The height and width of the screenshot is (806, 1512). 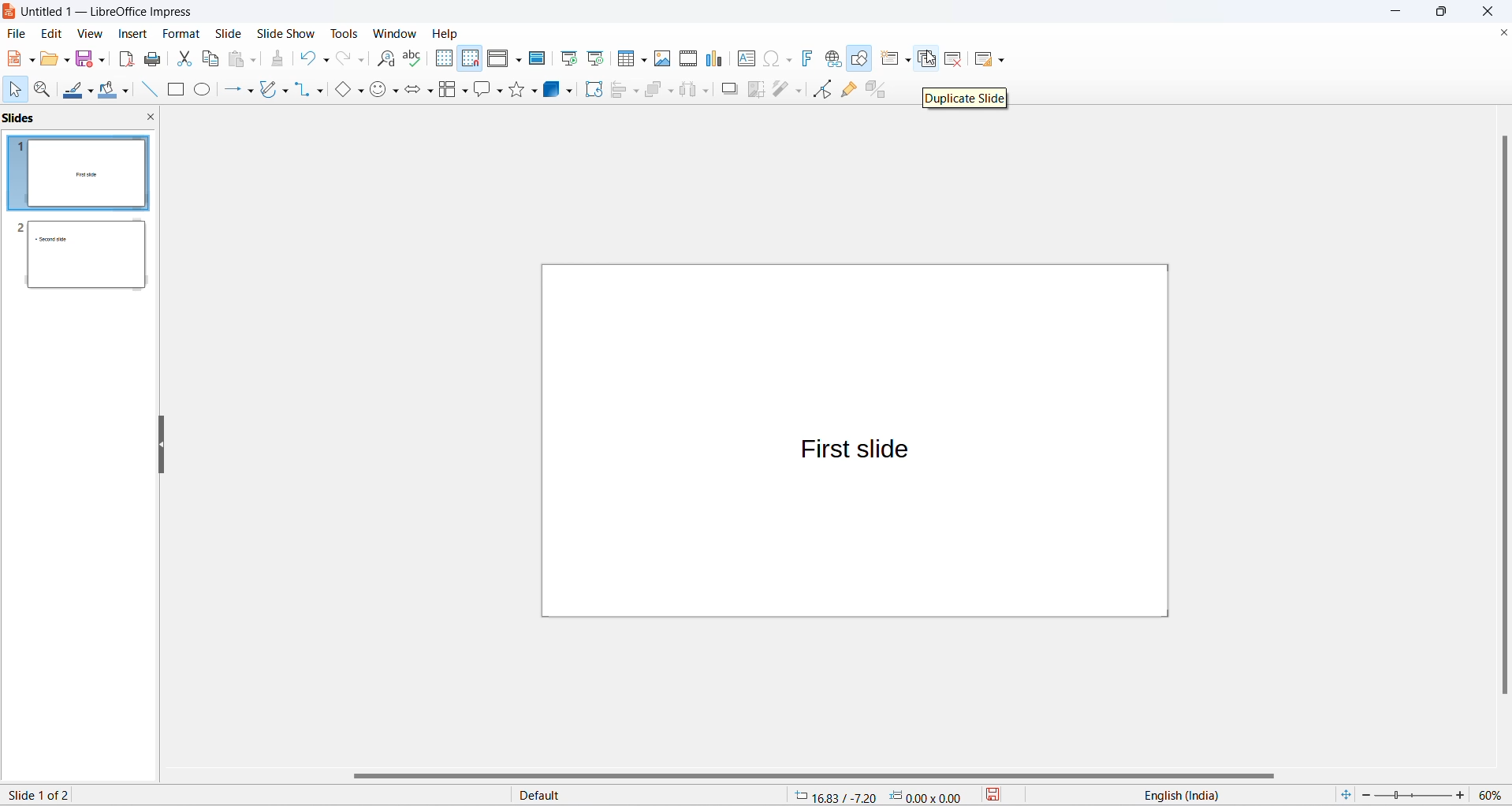 What do you see at coordinates (966, 98) in the screenshot?
I see `duplicate slide text` at bounding box center [966, 98].